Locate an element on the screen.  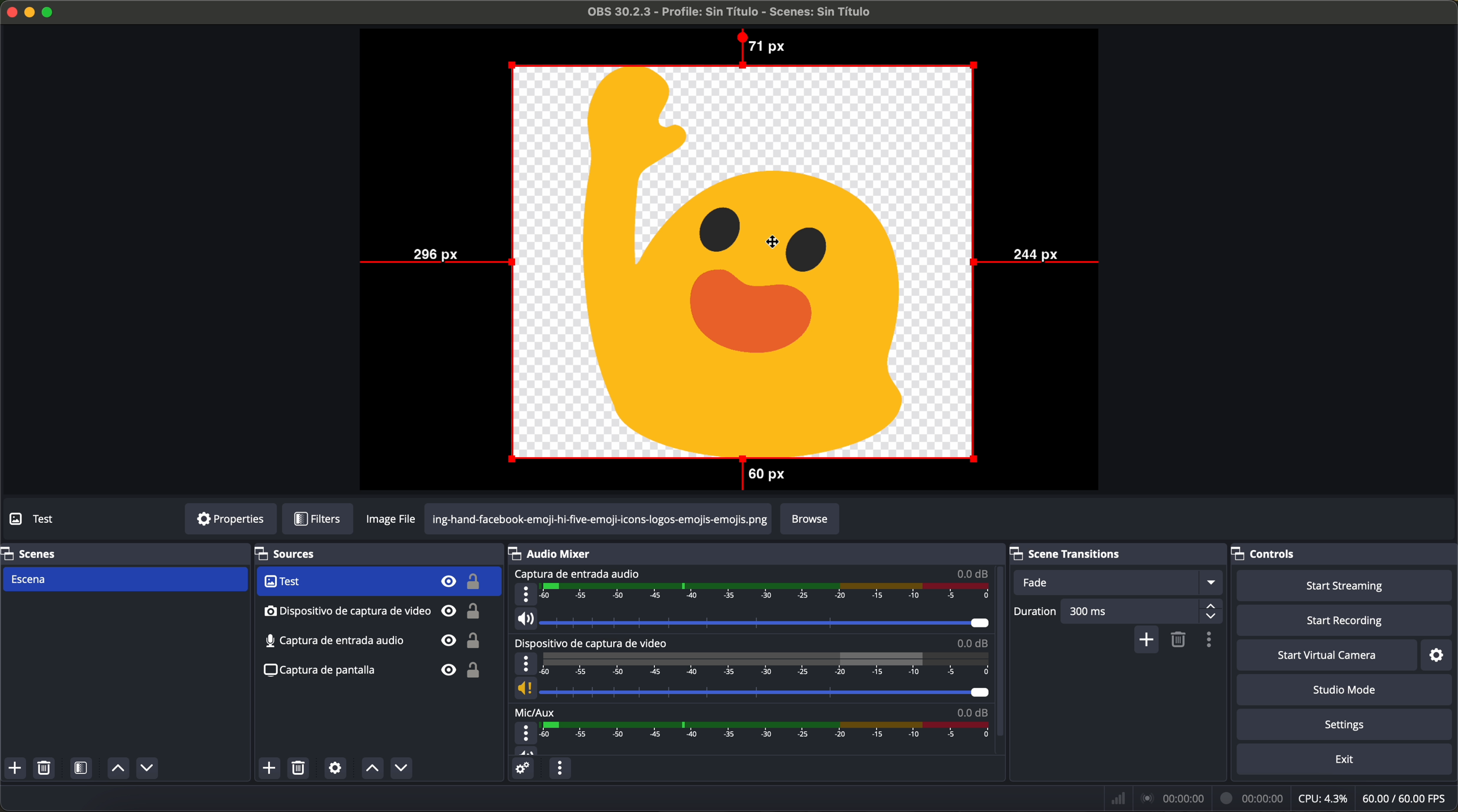
transition properties is located at coordinates (1212, 641).